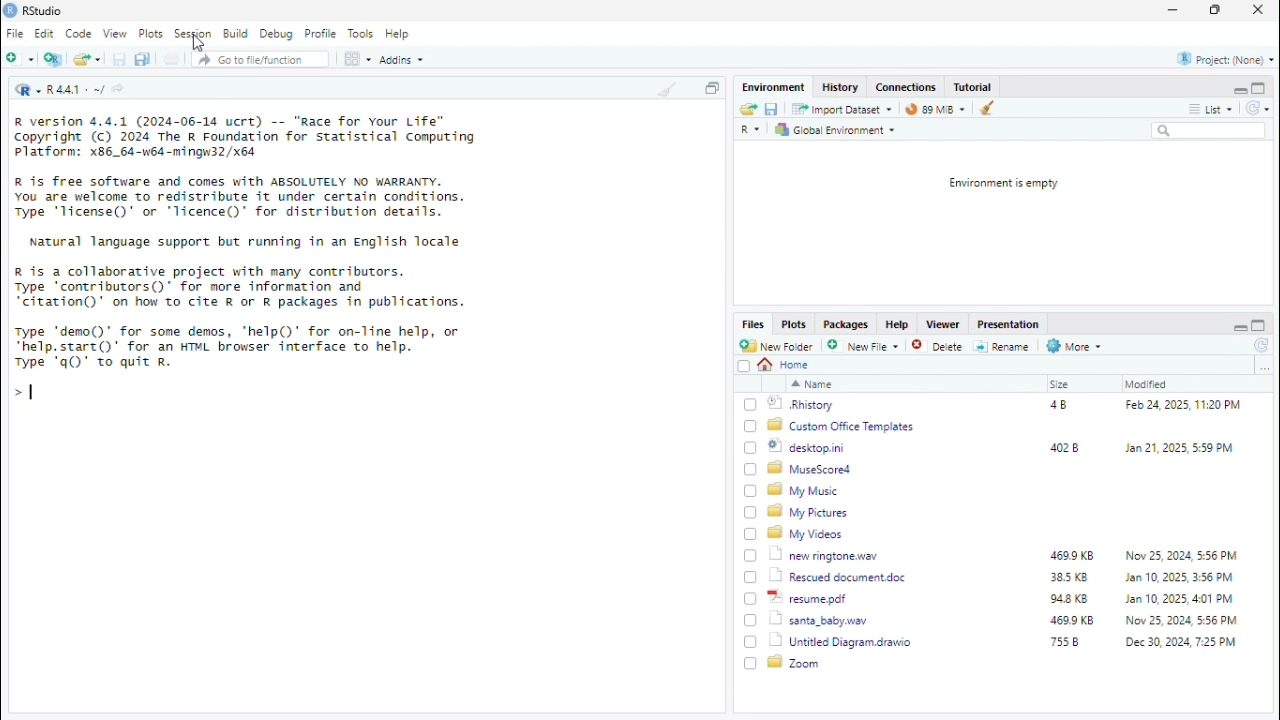 Image resolution: width=1280 pixels, height=720 pixels. What do you see at coordinates (119, 59) in the screenshot?
I see `save` at bounding box center [119, 59].